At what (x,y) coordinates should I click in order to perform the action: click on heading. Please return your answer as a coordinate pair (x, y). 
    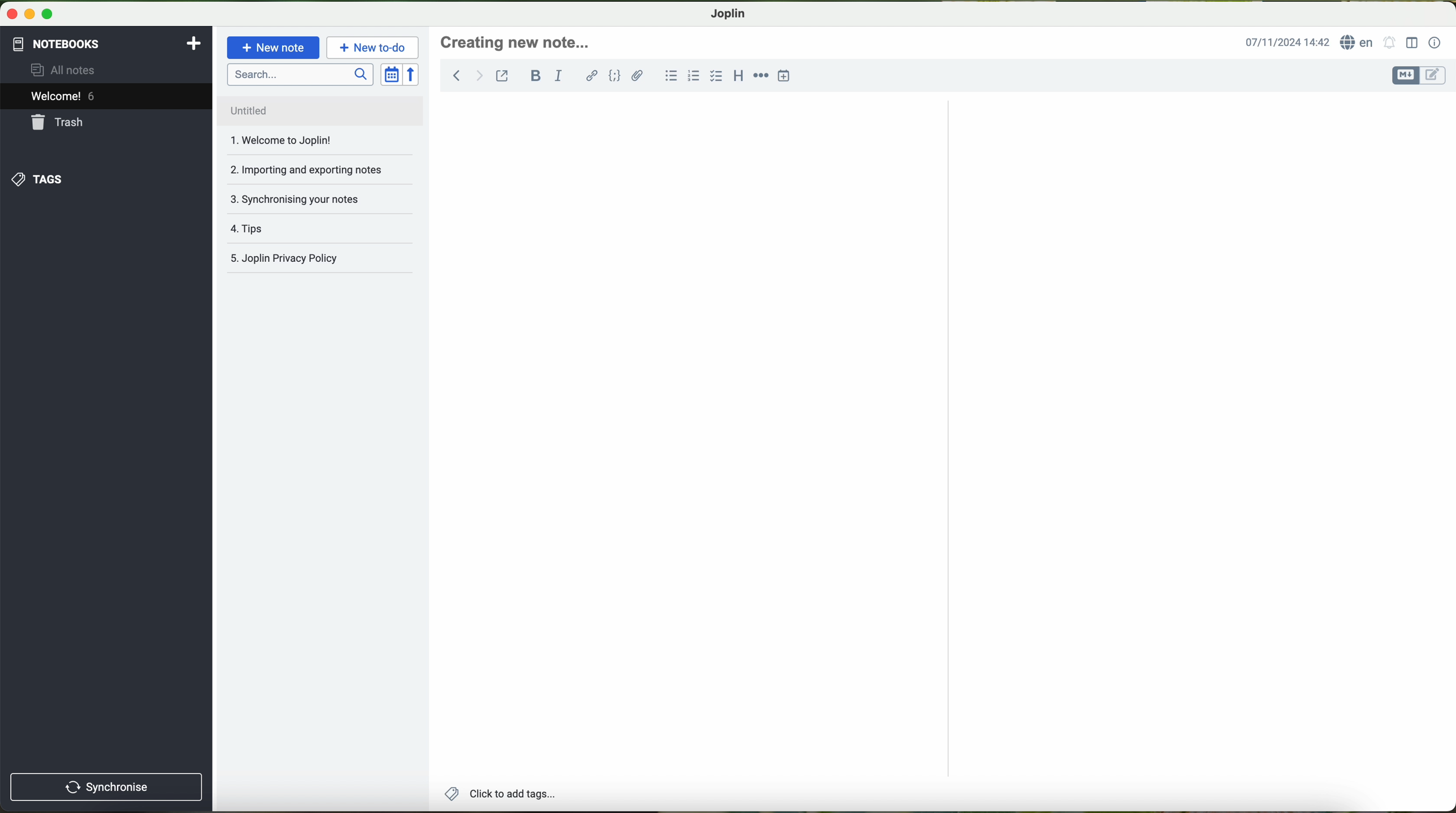
    Looking at the image, I should click on (740, 77).